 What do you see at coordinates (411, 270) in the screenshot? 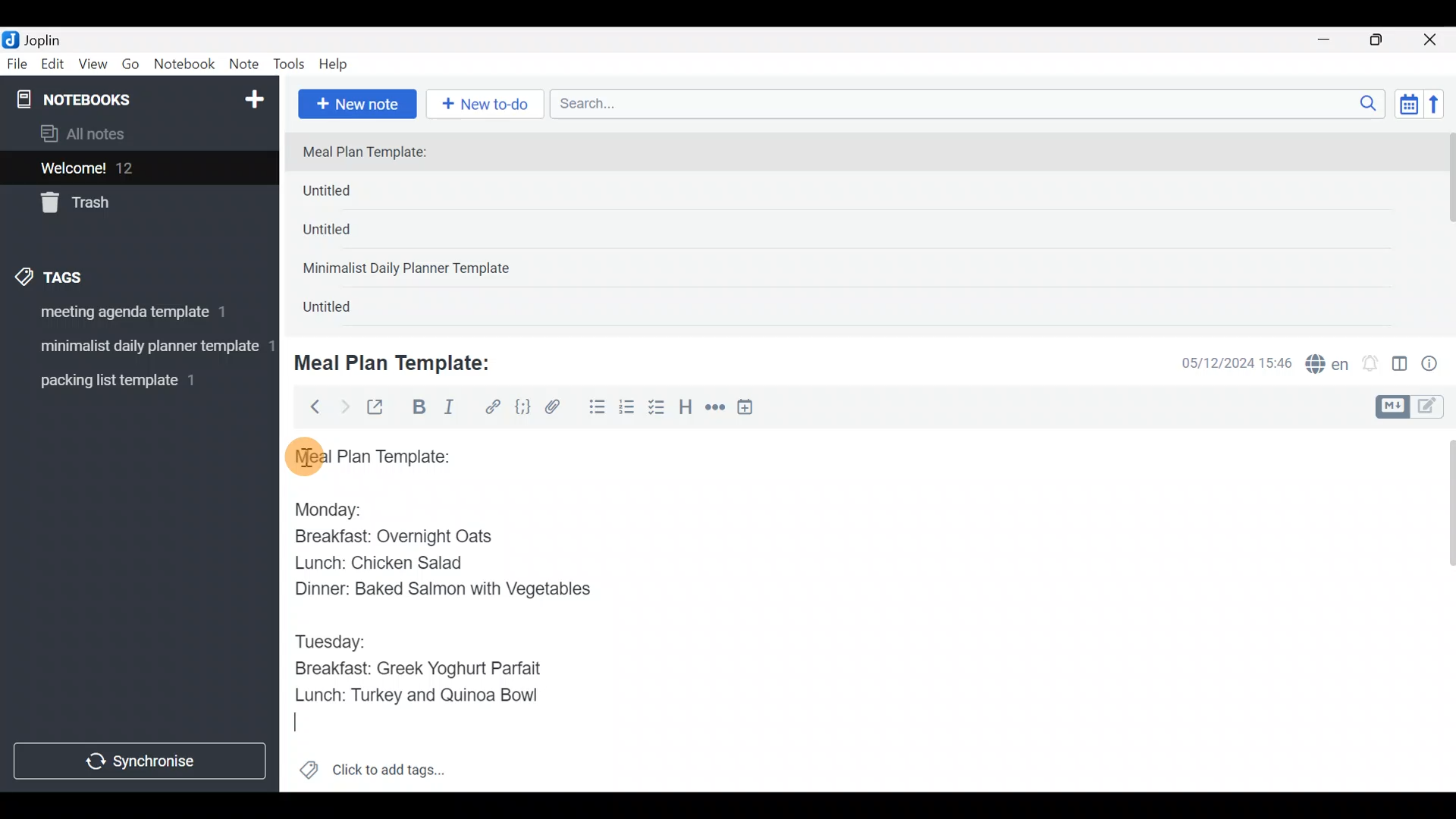
I see `Minimalist Daily Planner Template` at bounding box center [411, 270].